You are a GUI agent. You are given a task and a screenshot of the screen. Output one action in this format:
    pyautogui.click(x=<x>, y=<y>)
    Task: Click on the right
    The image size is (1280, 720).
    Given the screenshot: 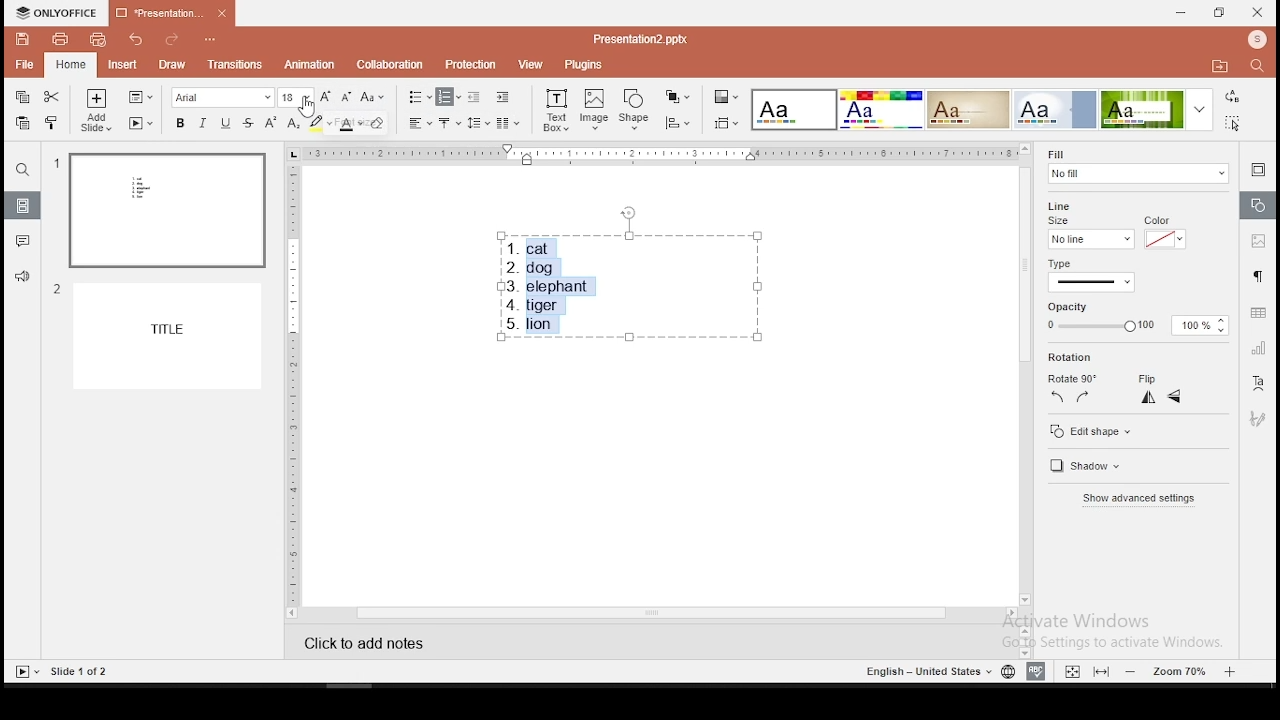 What is the action you would take?
    pyautogui.click(x=1084, y=400)
    